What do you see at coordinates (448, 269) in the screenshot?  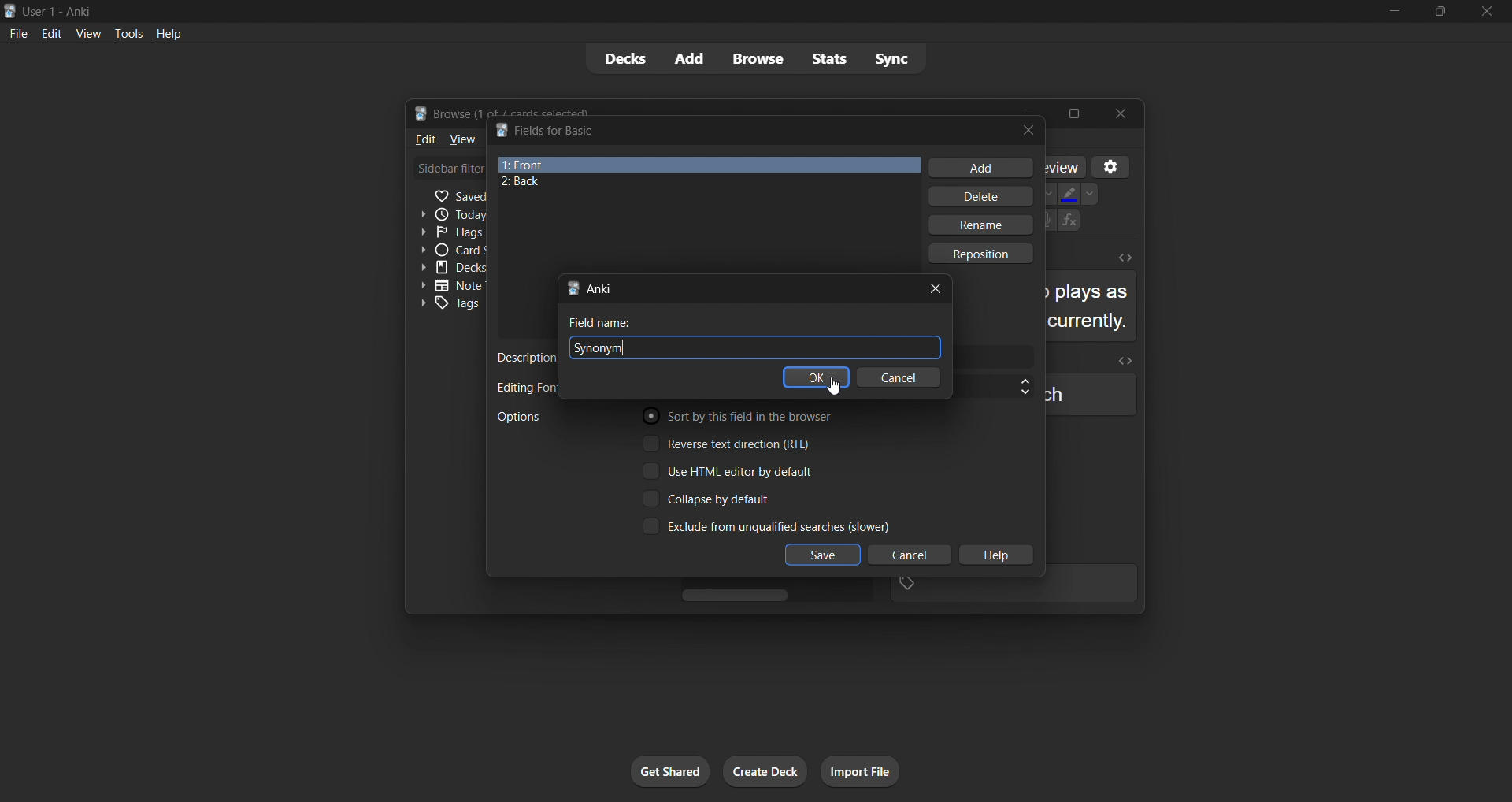 I see `Decks` at bounding box center [448, 269].